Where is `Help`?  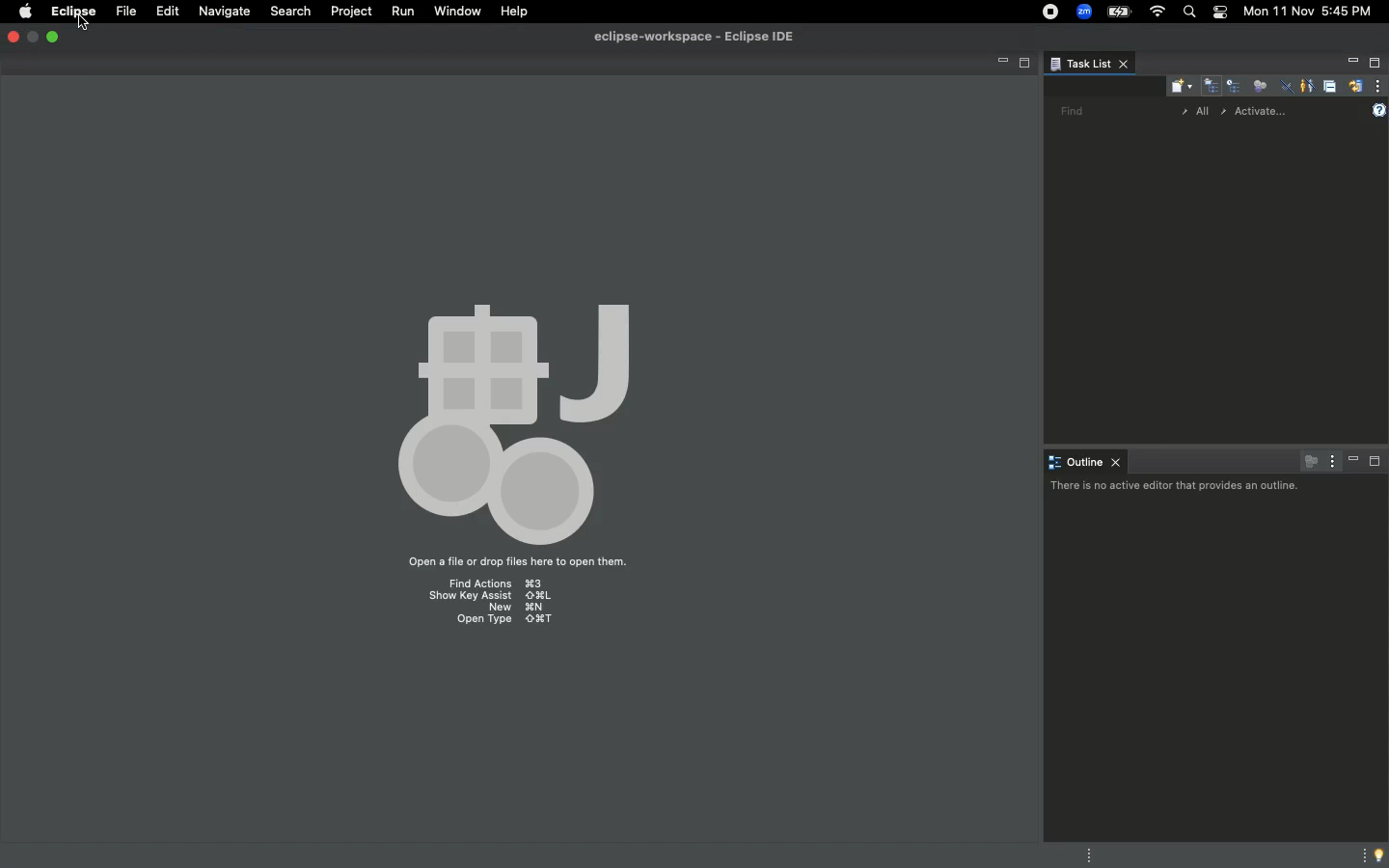 Help is located at coordinates (514, 11).